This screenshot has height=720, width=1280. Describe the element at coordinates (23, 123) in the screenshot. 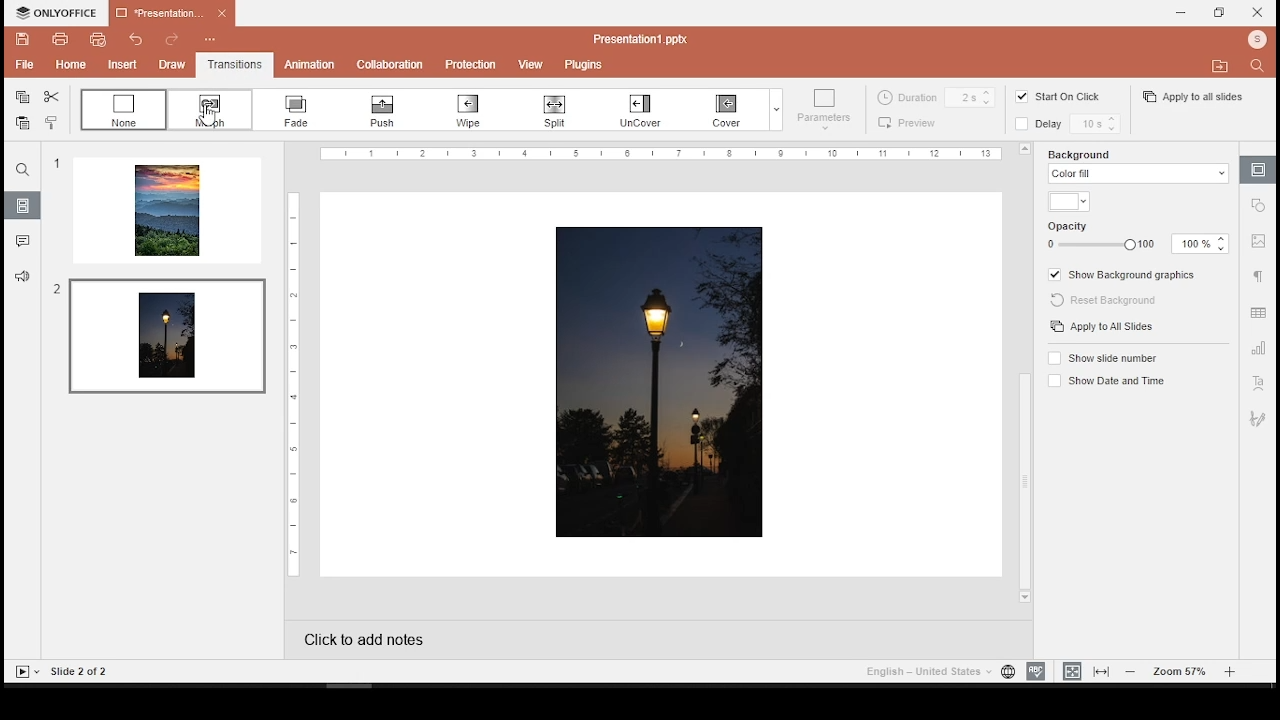

I see `paste` at that location.